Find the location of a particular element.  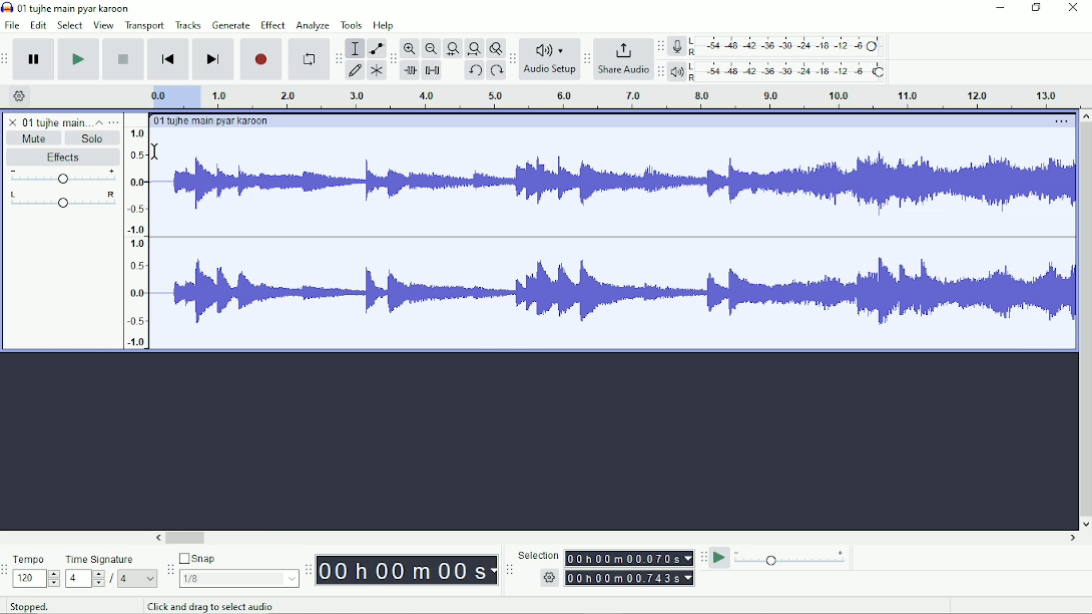

Analyze is located at coordinates (312, 27).